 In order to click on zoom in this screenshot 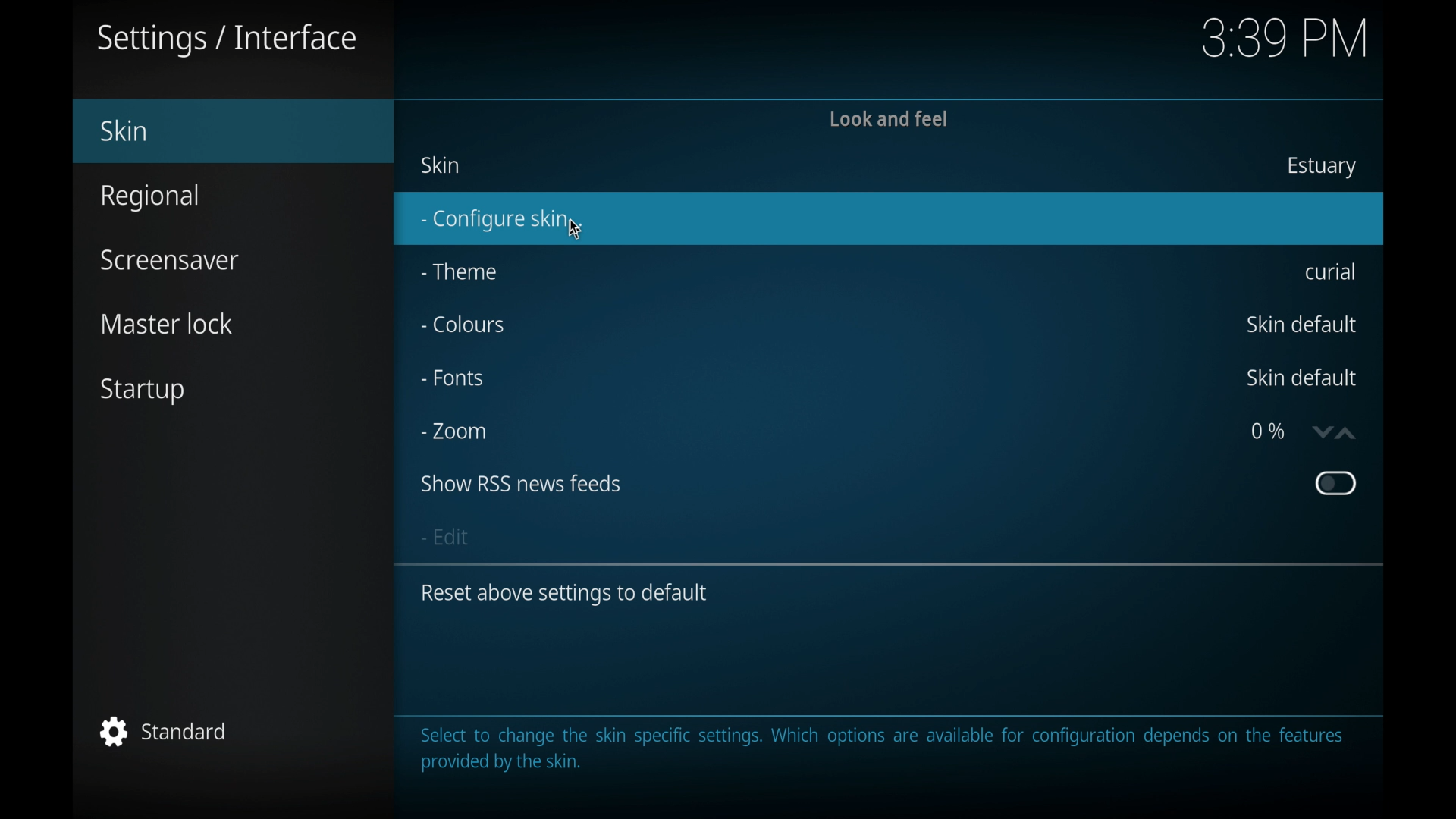, I will do `click(454, 432)`.